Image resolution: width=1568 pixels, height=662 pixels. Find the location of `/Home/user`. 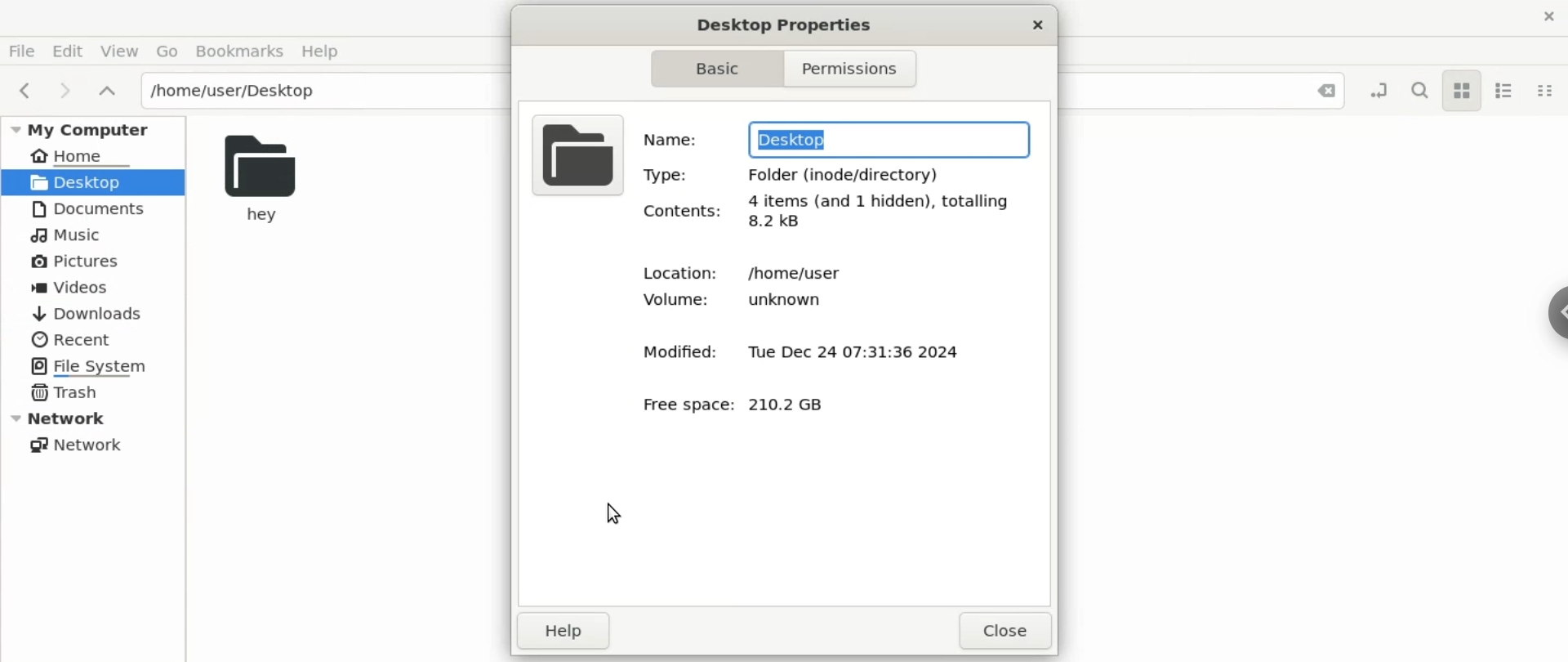

/Home/user is located at coordinates (798, 272).